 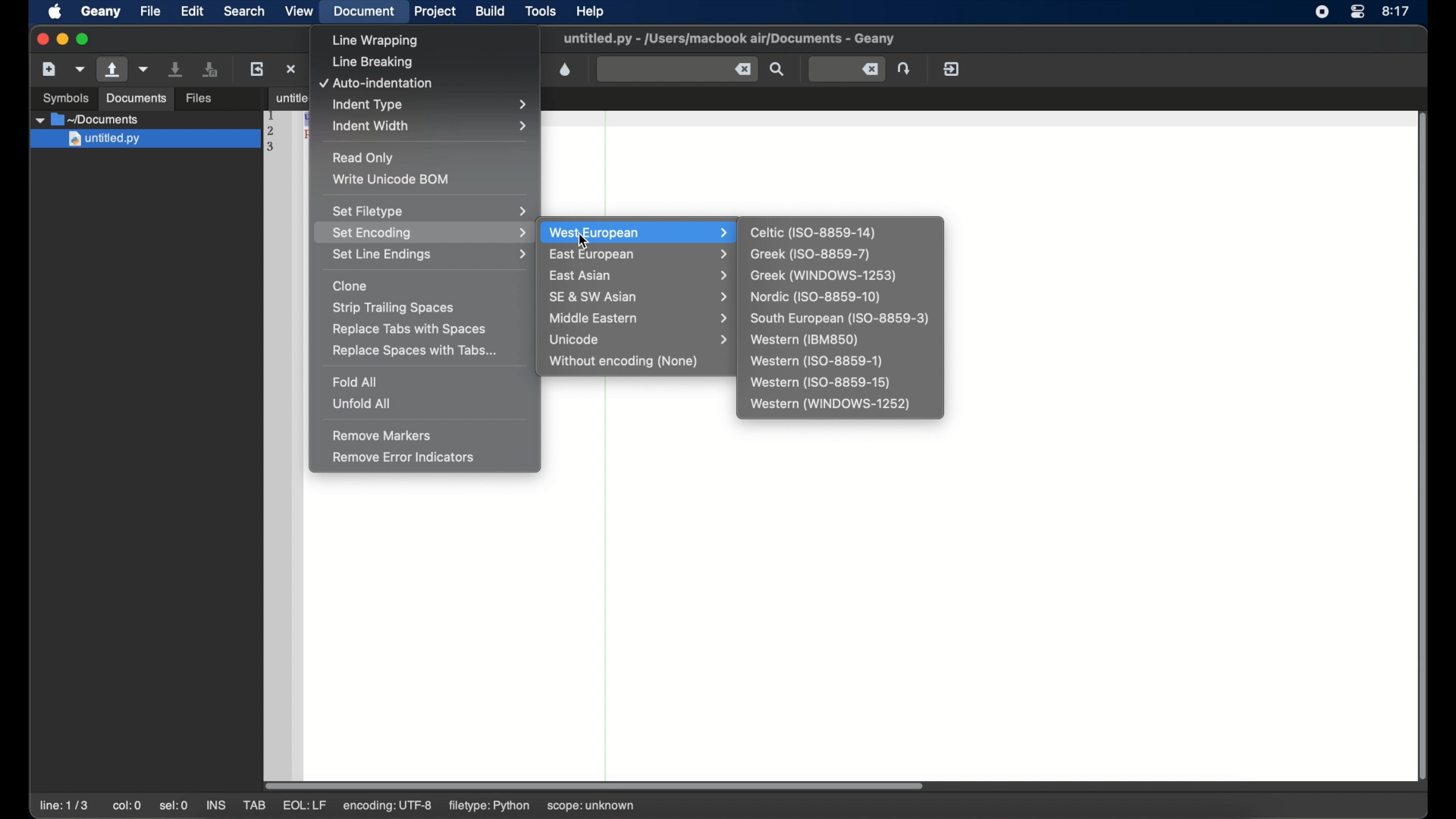 I want to click on greek, so click(x=811, y=255).